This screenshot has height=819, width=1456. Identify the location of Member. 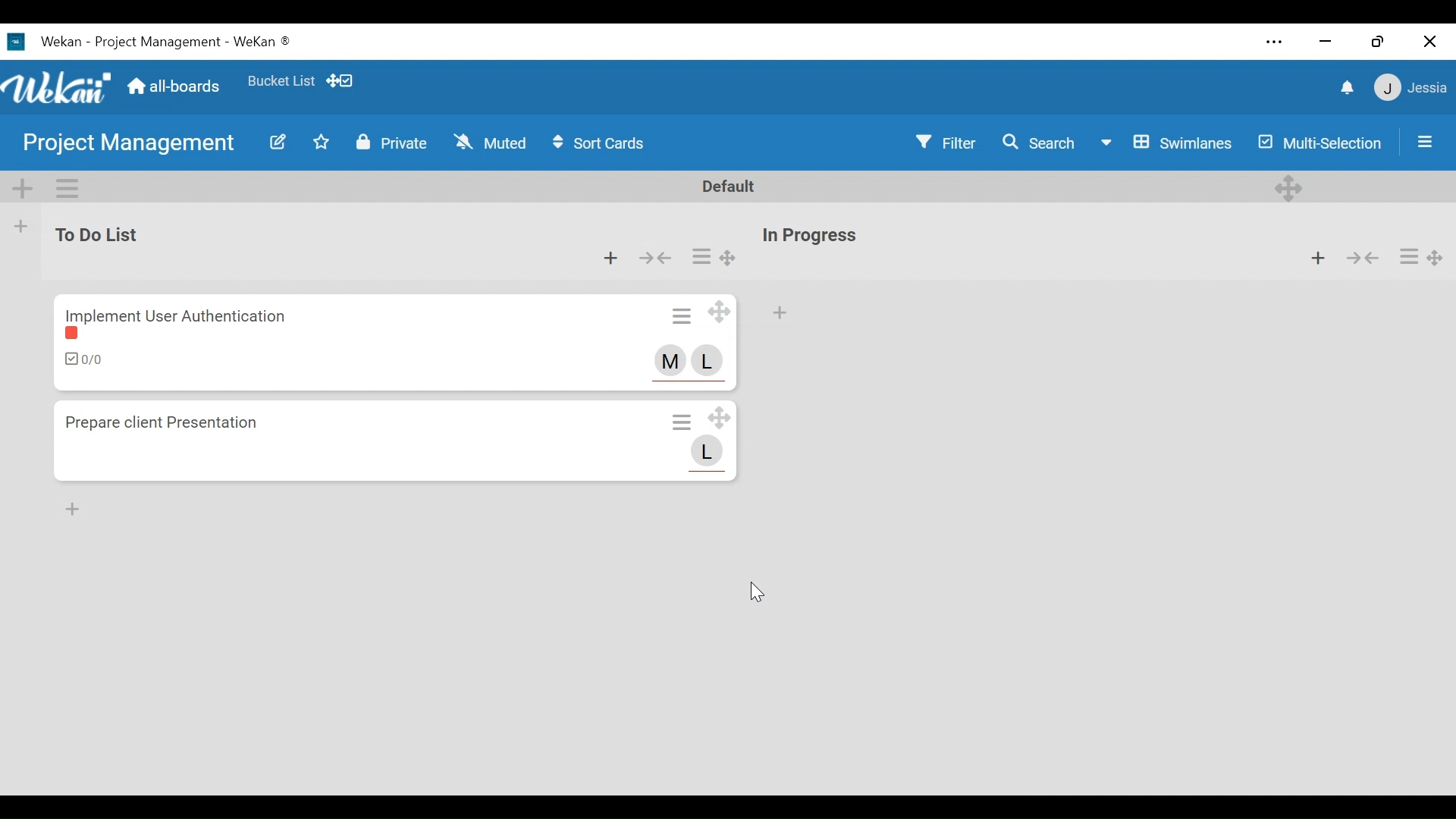
(711, 360).